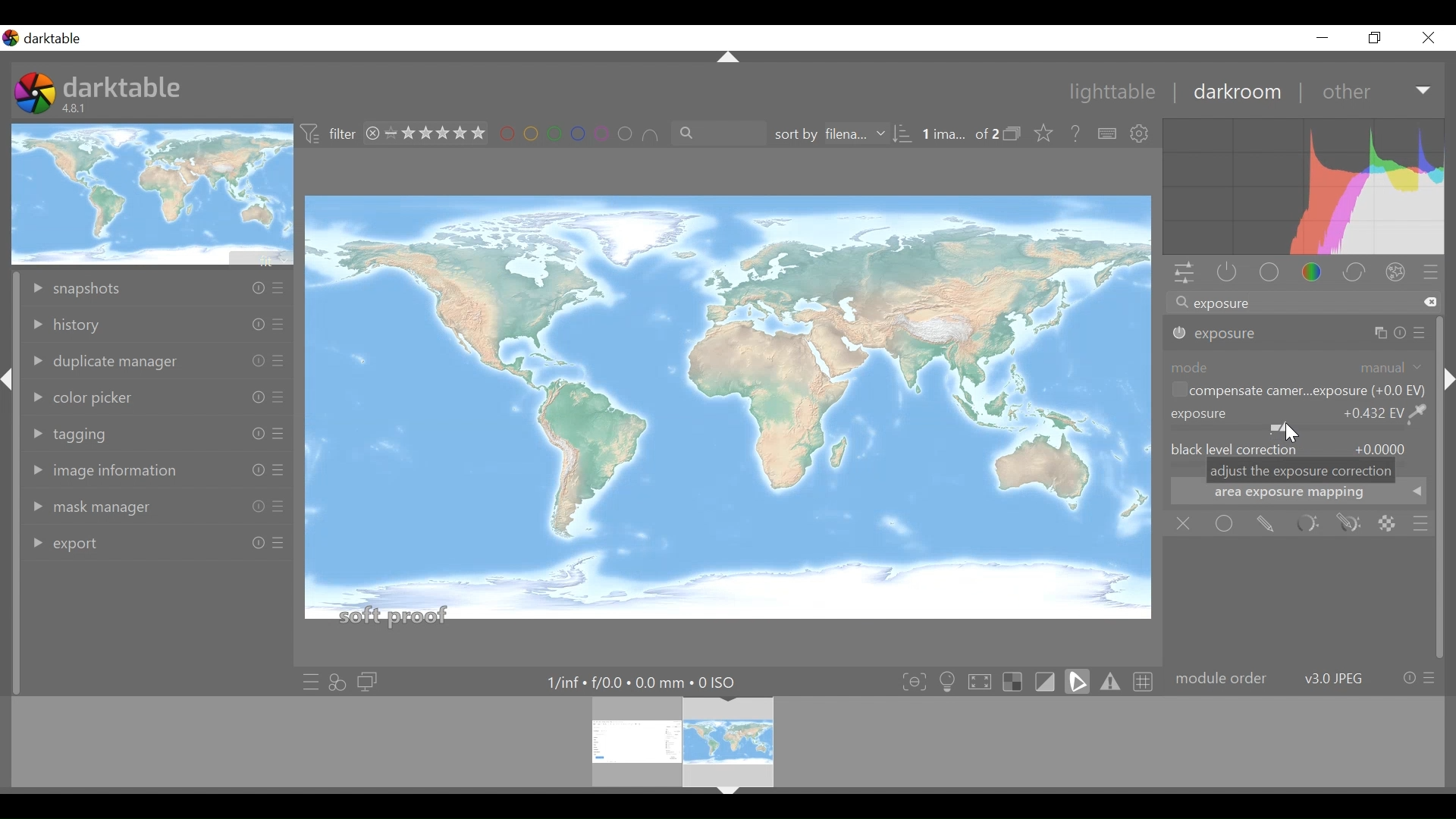 The width and height of the screenshot is (1456, 819). I want to click on toggle clipping indication, so click(1047, 681).